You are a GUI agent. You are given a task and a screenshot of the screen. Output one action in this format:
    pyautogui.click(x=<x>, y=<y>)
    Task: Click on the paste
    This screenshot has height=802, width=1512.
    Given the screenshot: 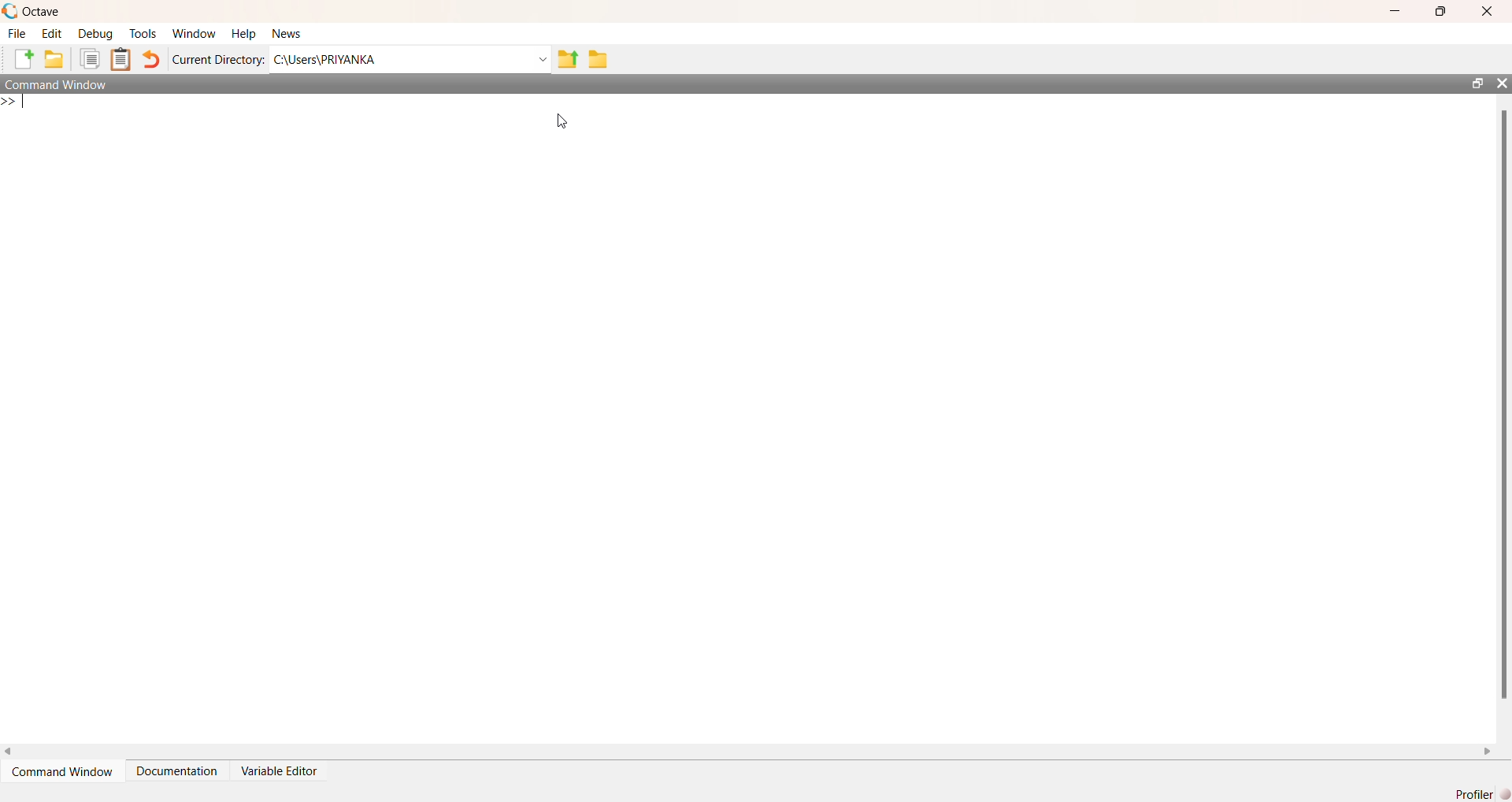 What is the action you would take?
    pyautogui.click(x=121, y=60)
    